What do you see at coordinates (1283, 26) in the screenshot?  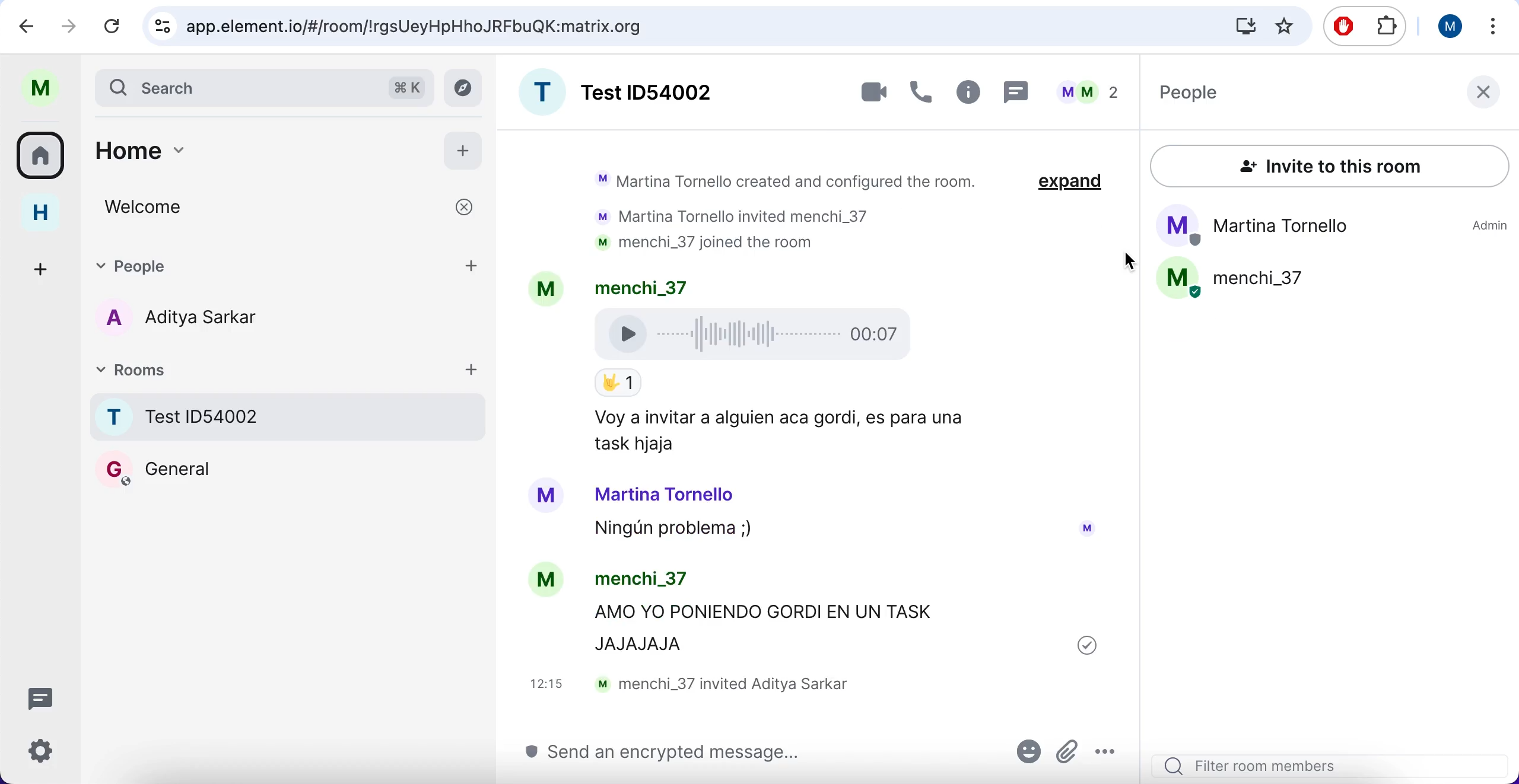 I see `favorites` at bounding box center [1283, 26].